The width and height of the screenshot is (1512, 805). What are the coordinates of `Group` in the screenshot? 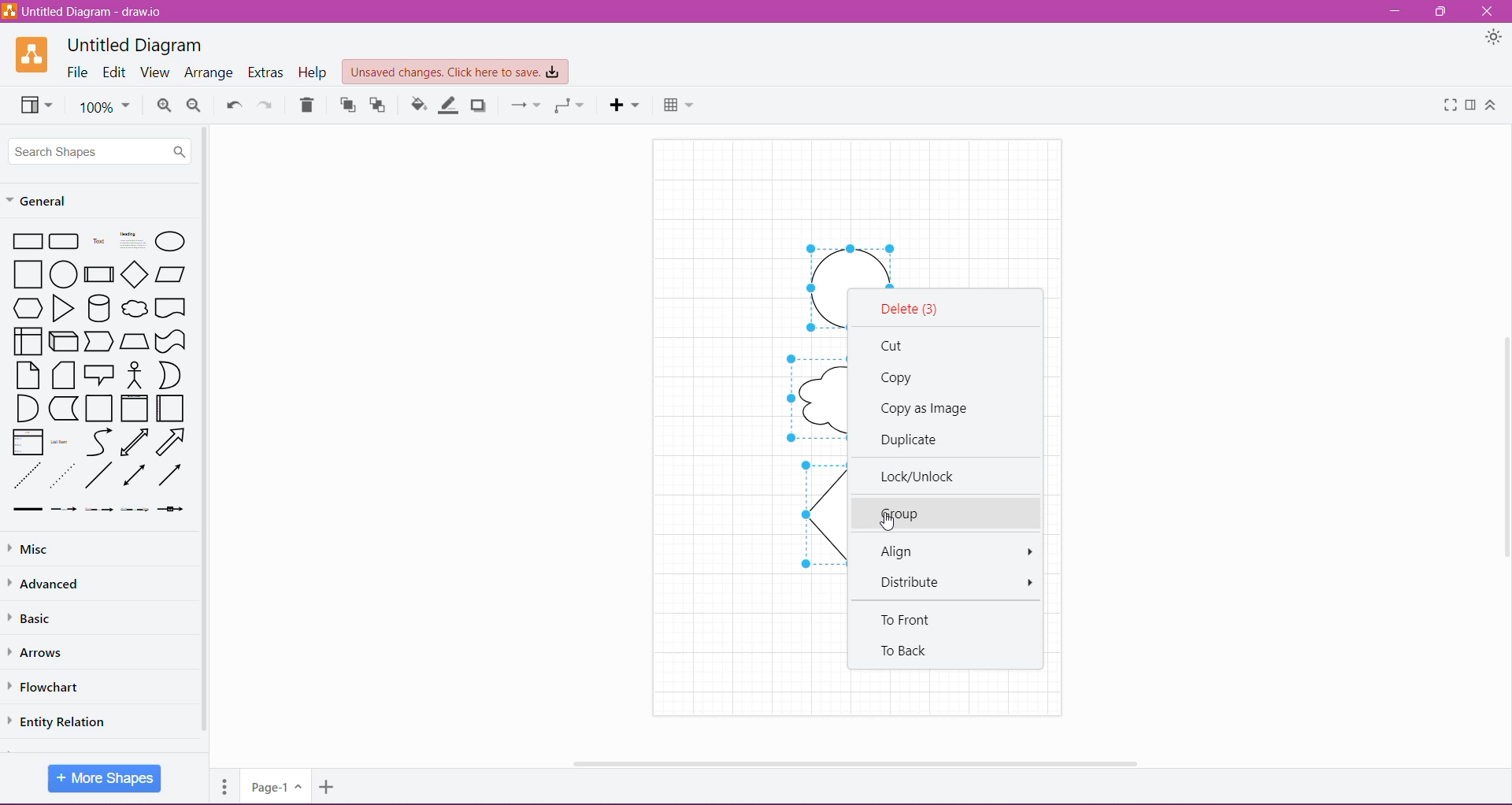 It's located at (946, 515).